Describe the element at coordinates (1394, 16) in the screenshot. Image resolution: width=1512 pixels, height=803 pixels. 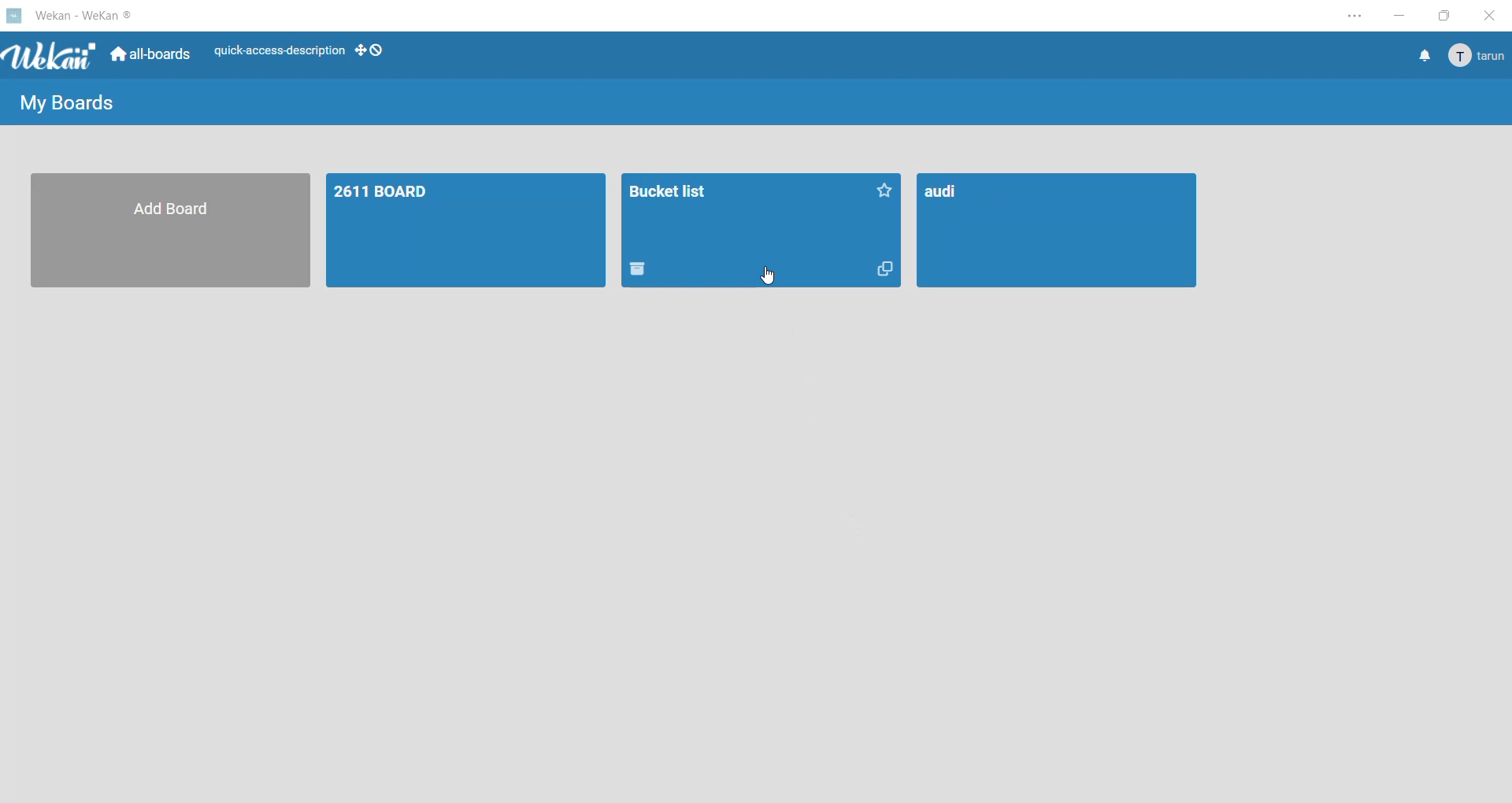
I see `minimize` at that location.